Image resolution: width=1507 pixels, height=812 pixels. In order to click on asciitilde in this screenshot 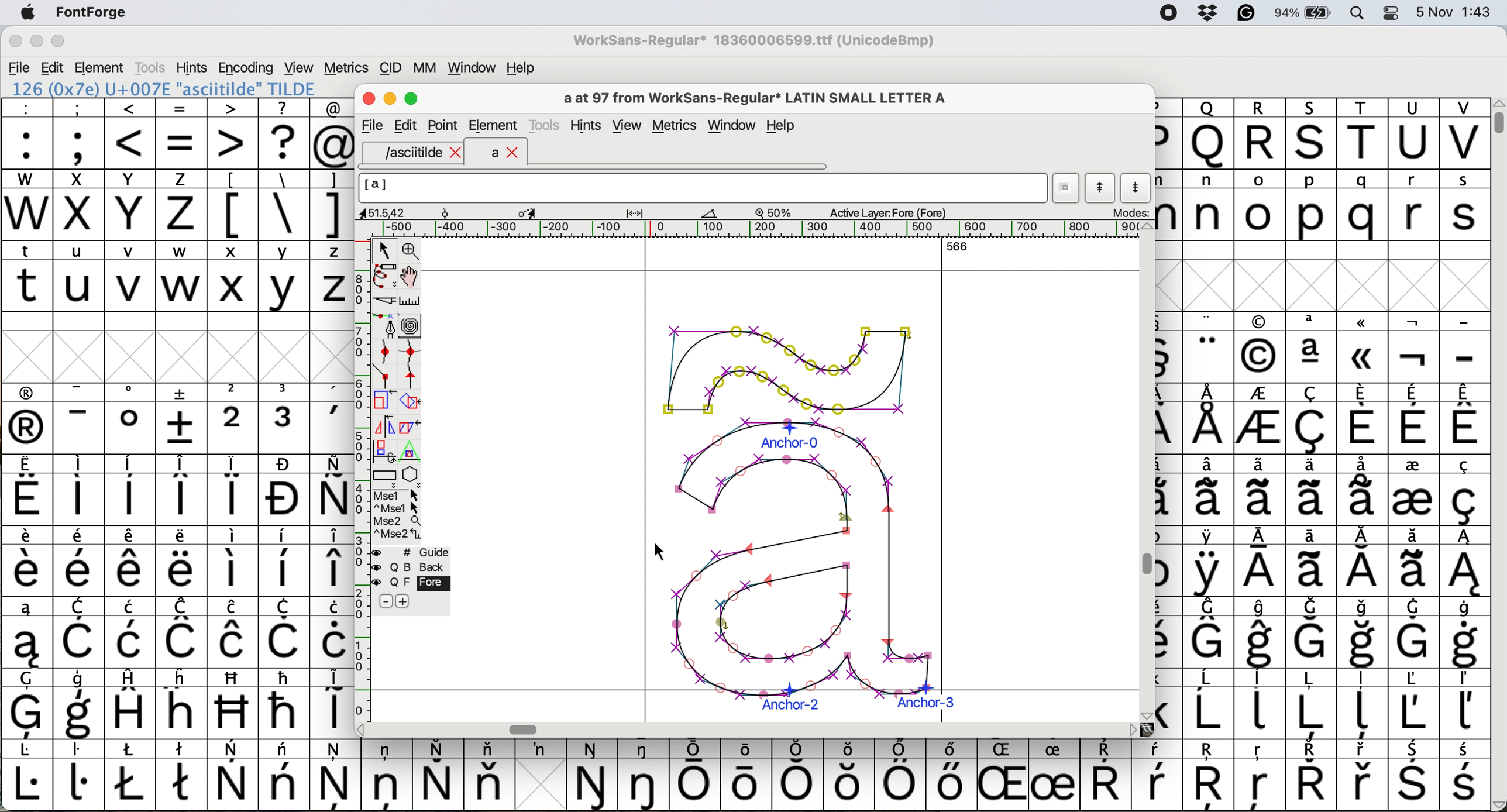, I will do `click(421, 153)`.